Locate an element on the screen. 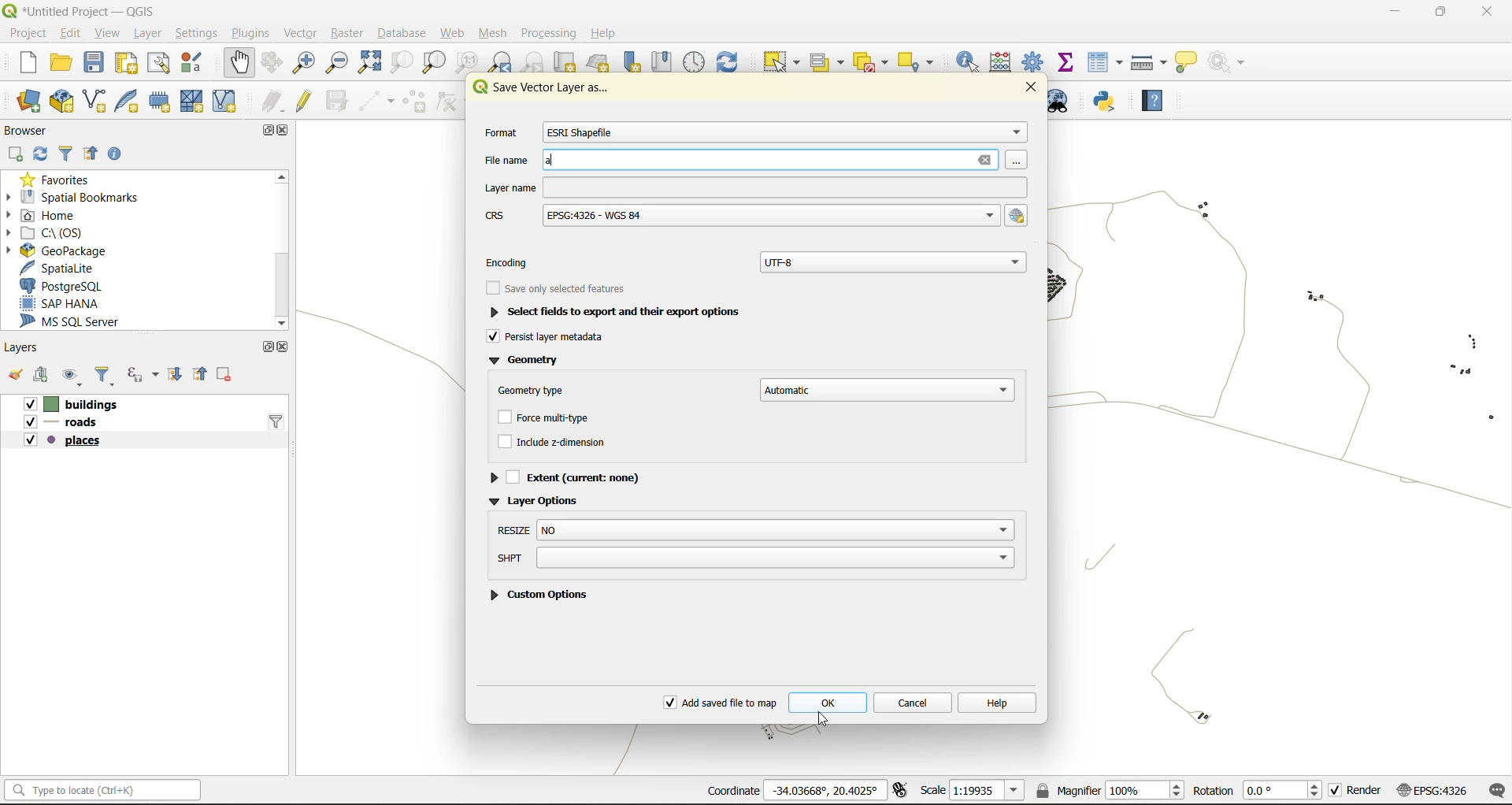 Image resolution: width=1512 pixels, height=805 pixels. format is located at coordinates (499, 135).